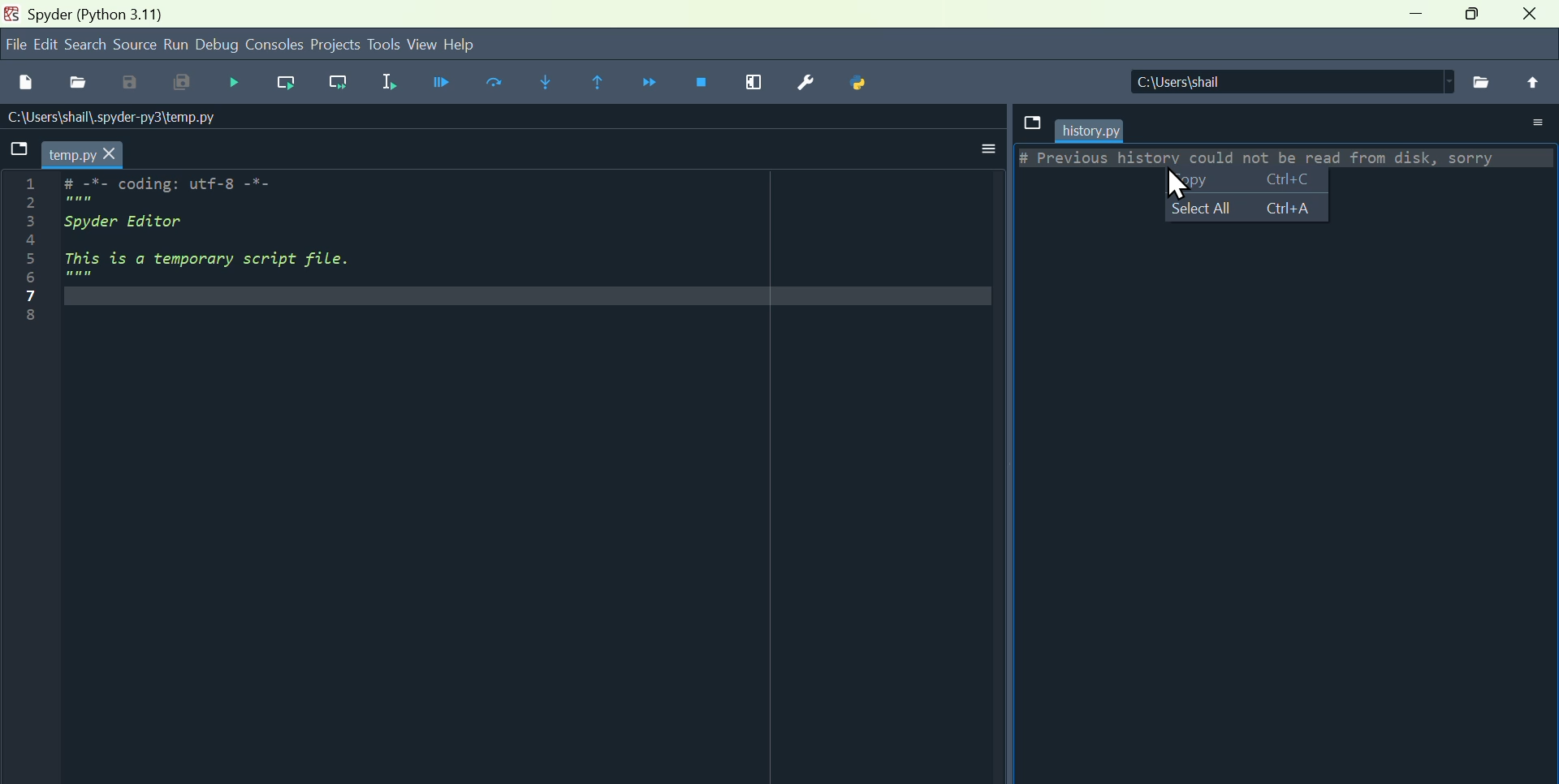 This screenshot has height=784, width=1559. Describe the element at coordinates (83, 155) in the screenshot. I see `temp.py` at that location.